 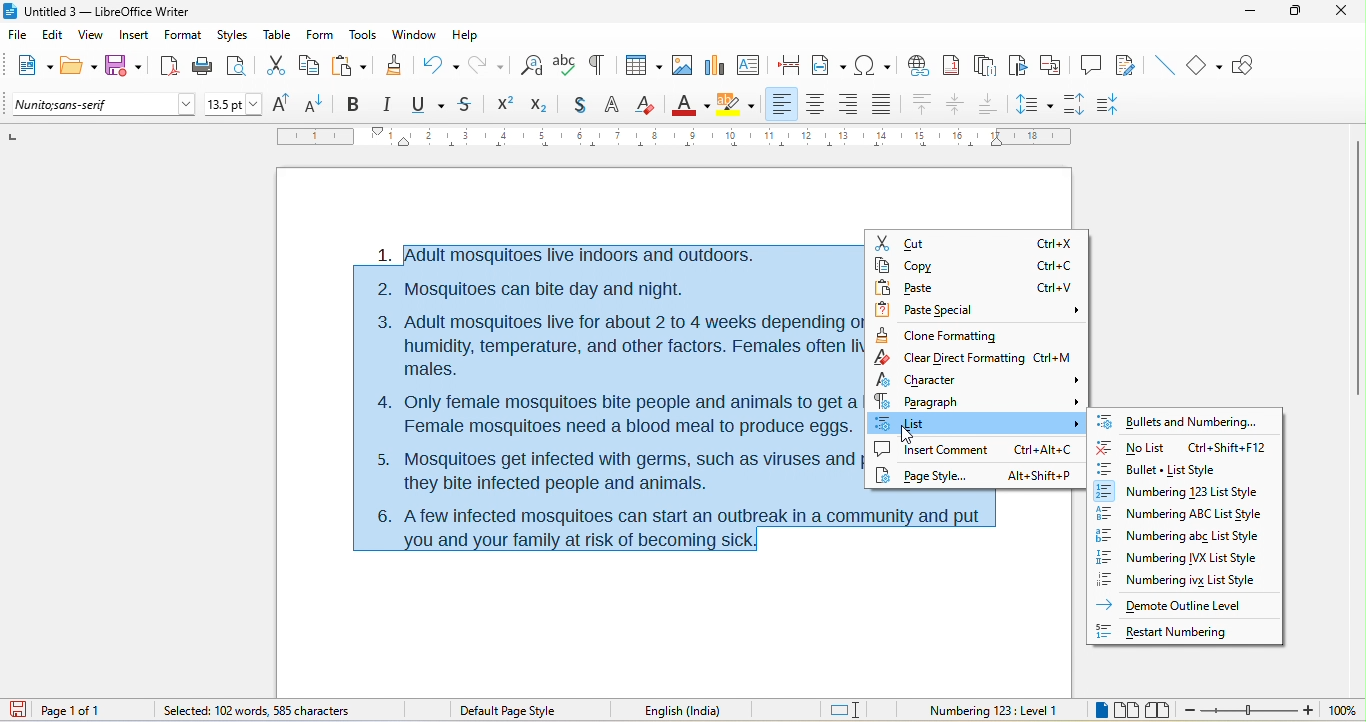 I want to click on align right, so click(x=849, y=105).